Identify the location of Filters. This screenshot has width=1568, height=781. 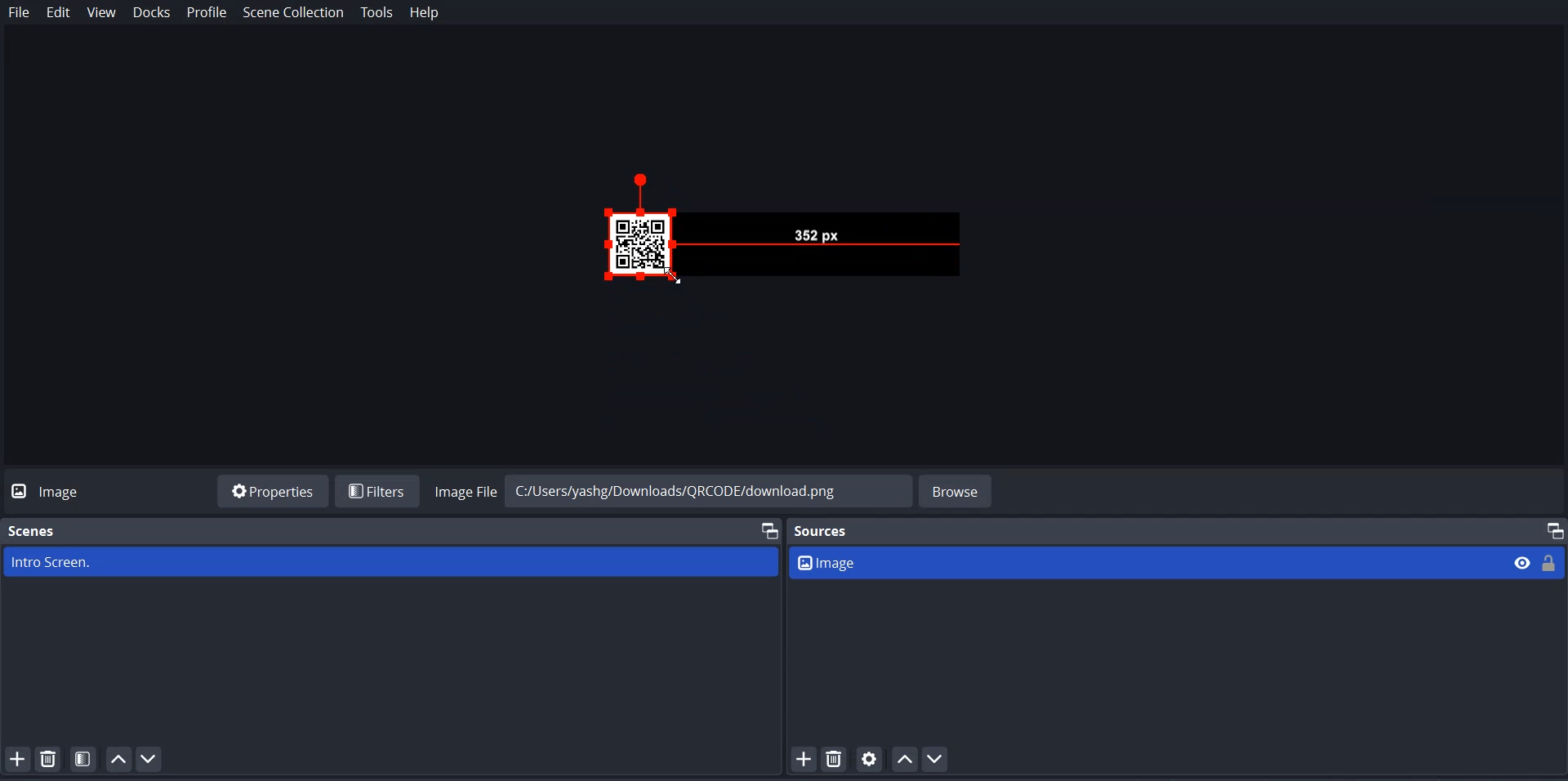
(376, 490).